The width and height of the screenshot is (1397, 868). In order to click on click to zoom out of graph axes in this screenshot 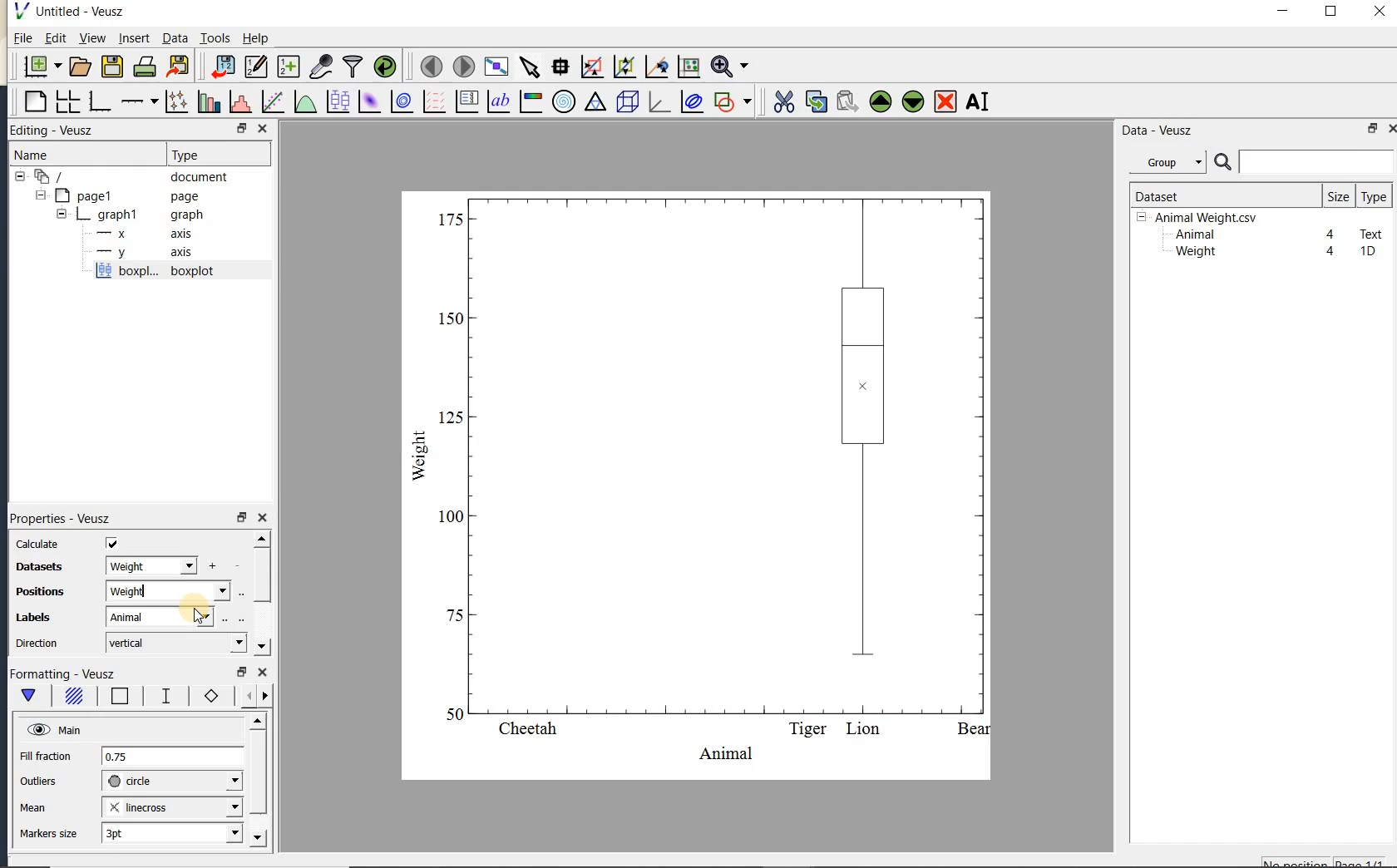, I will do `click(625, 66)`.